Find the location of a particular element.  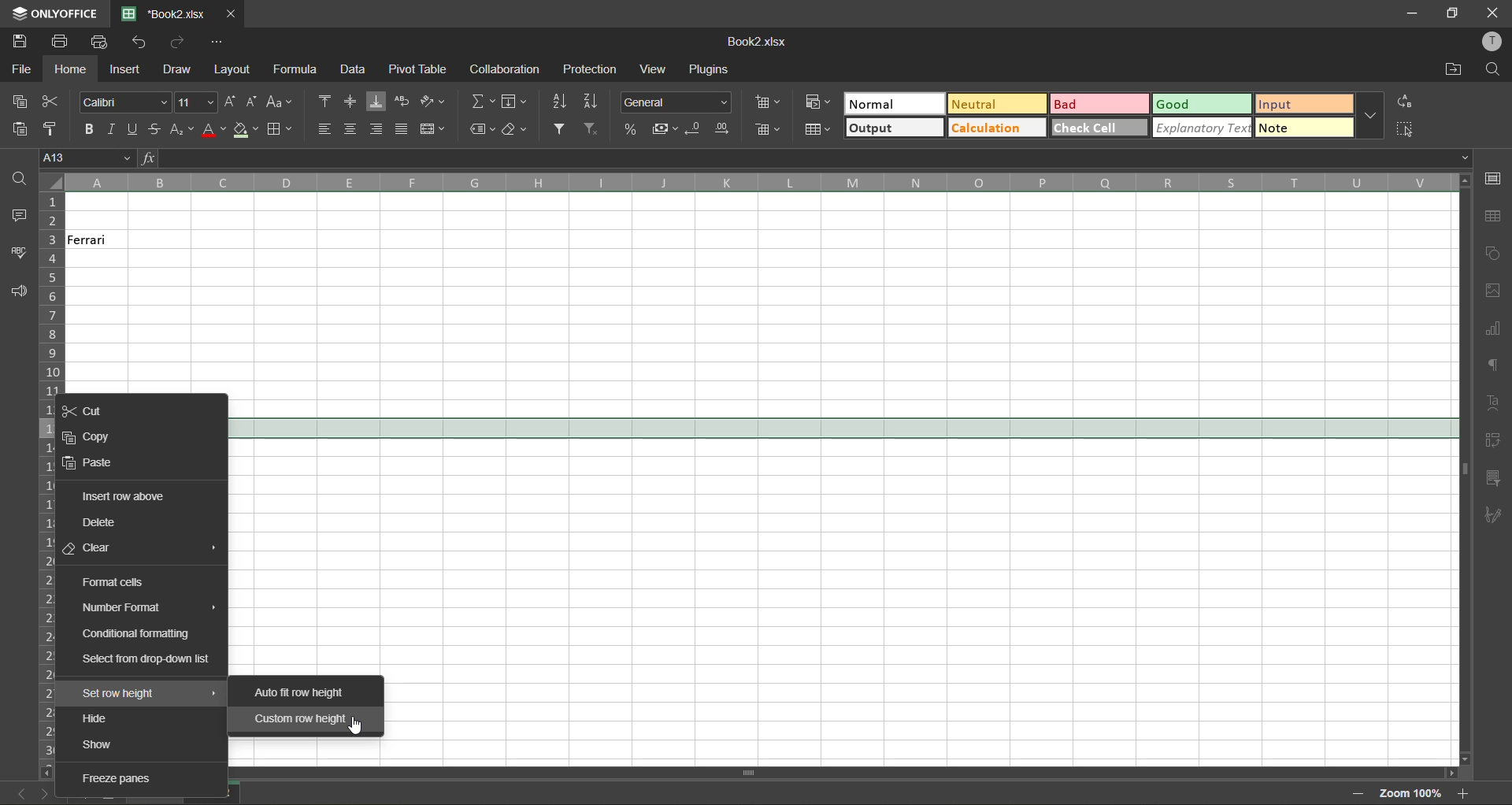

zoom in is located at coordinates (1466, 795).